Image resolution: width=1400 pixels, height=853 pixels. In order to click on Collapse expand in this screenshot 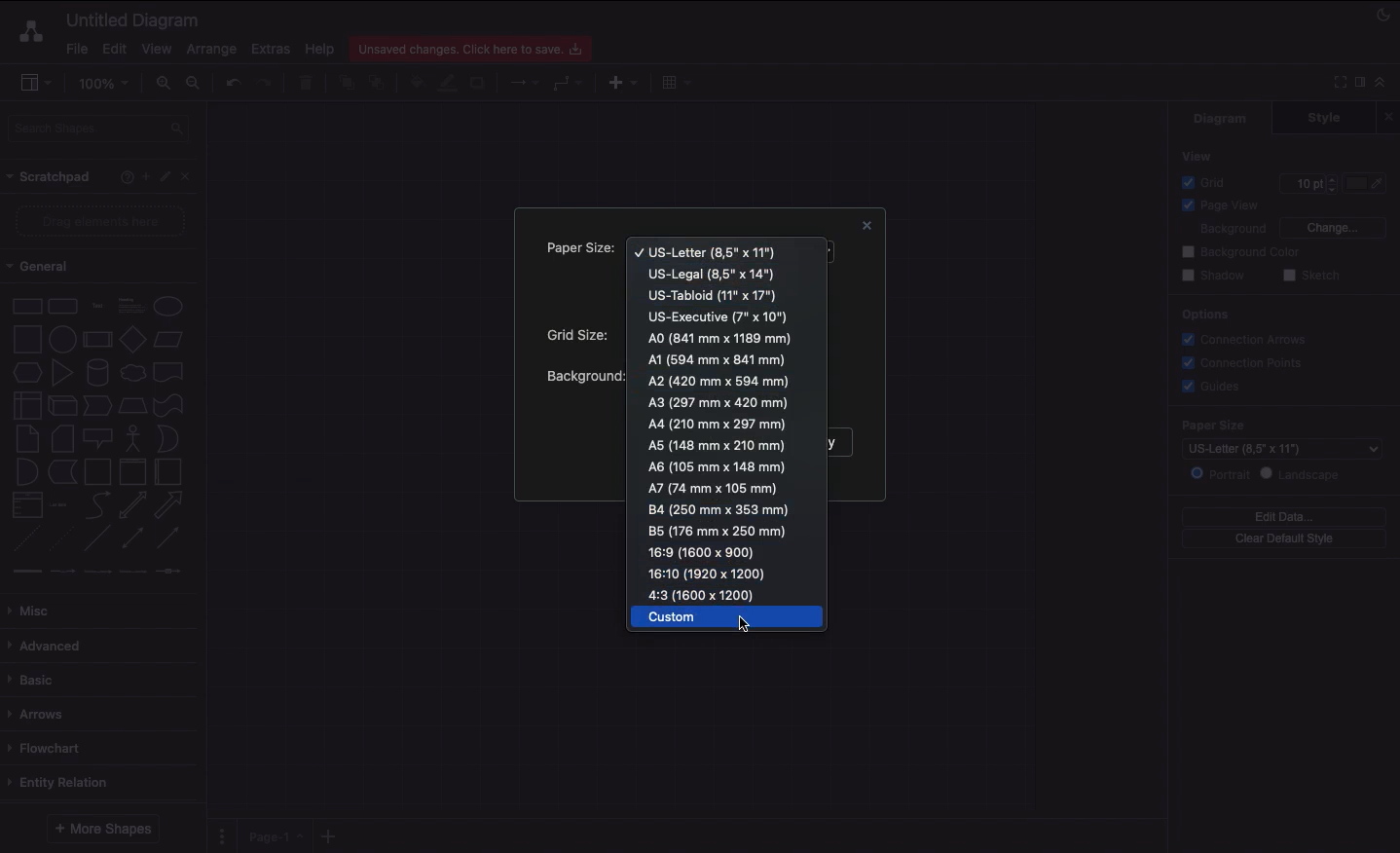, I will do `click(1385, 87)`.